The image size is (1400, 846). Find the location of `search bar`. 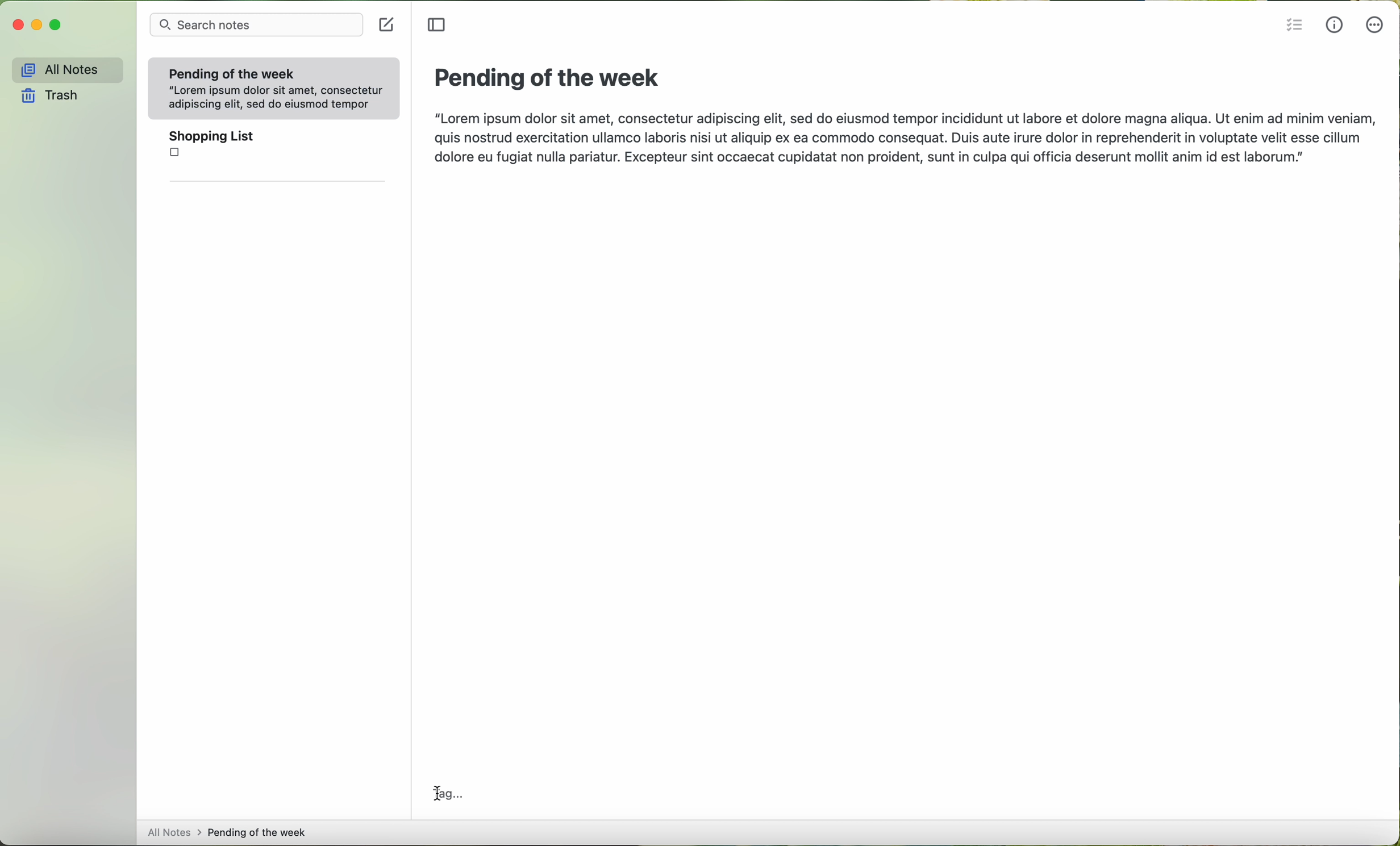

search bar is located at coordinates (260, 26).